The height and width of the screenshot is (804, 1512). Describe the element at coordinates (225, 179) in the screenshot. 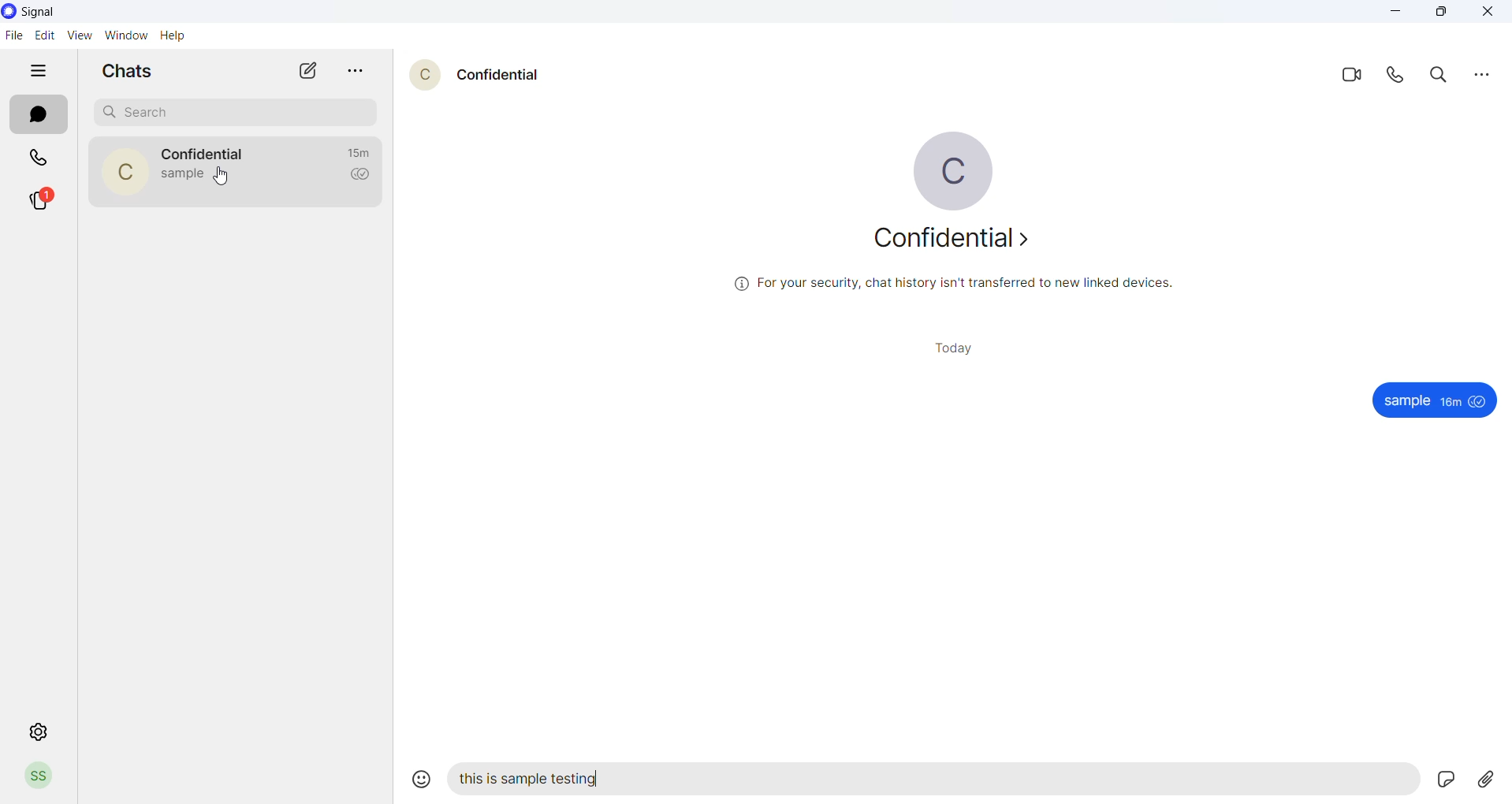

I see `cursor` at that location.